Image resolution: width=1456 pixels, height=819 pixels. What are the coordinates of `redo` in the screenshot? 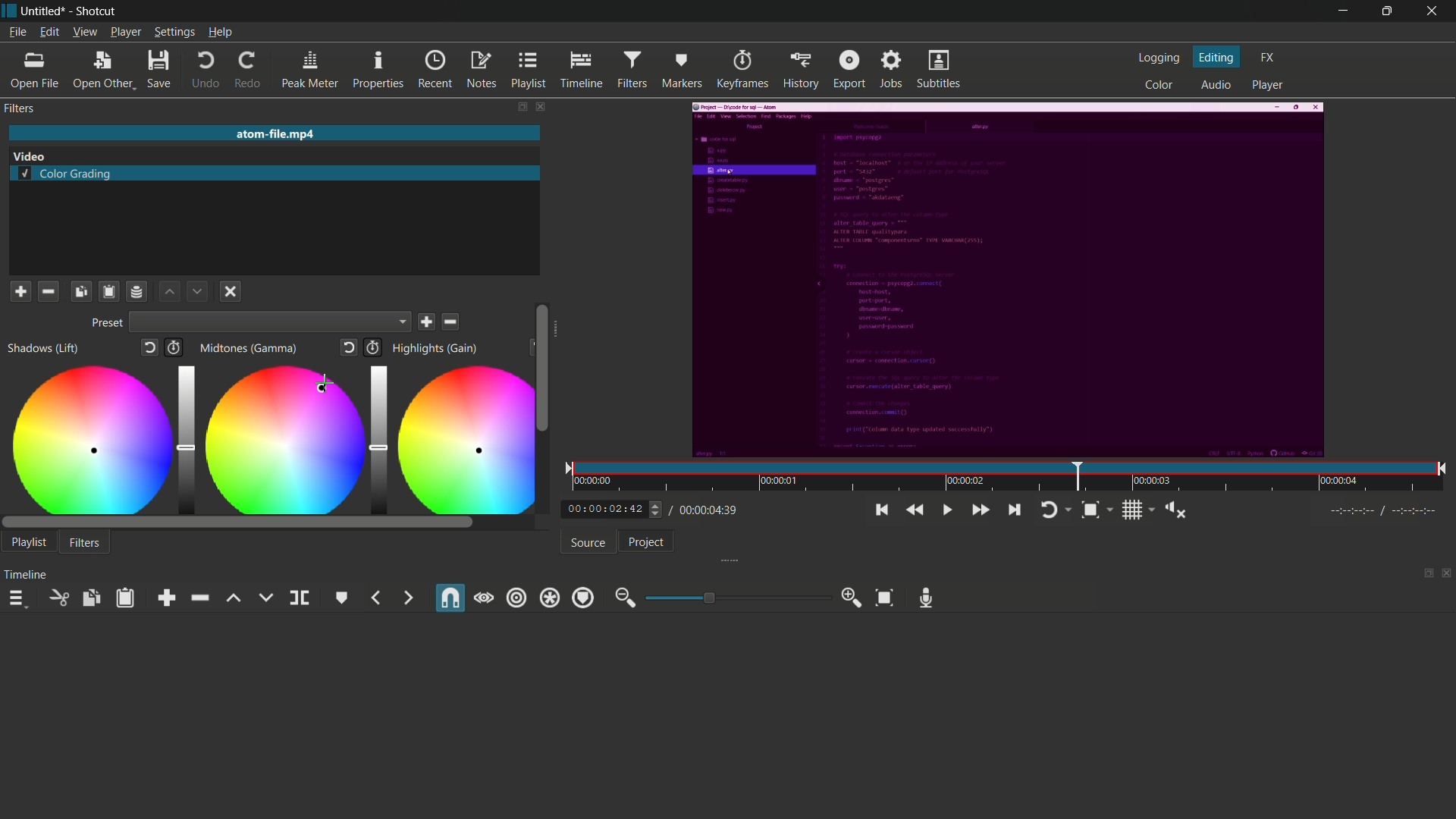 It's located at (249, 71).